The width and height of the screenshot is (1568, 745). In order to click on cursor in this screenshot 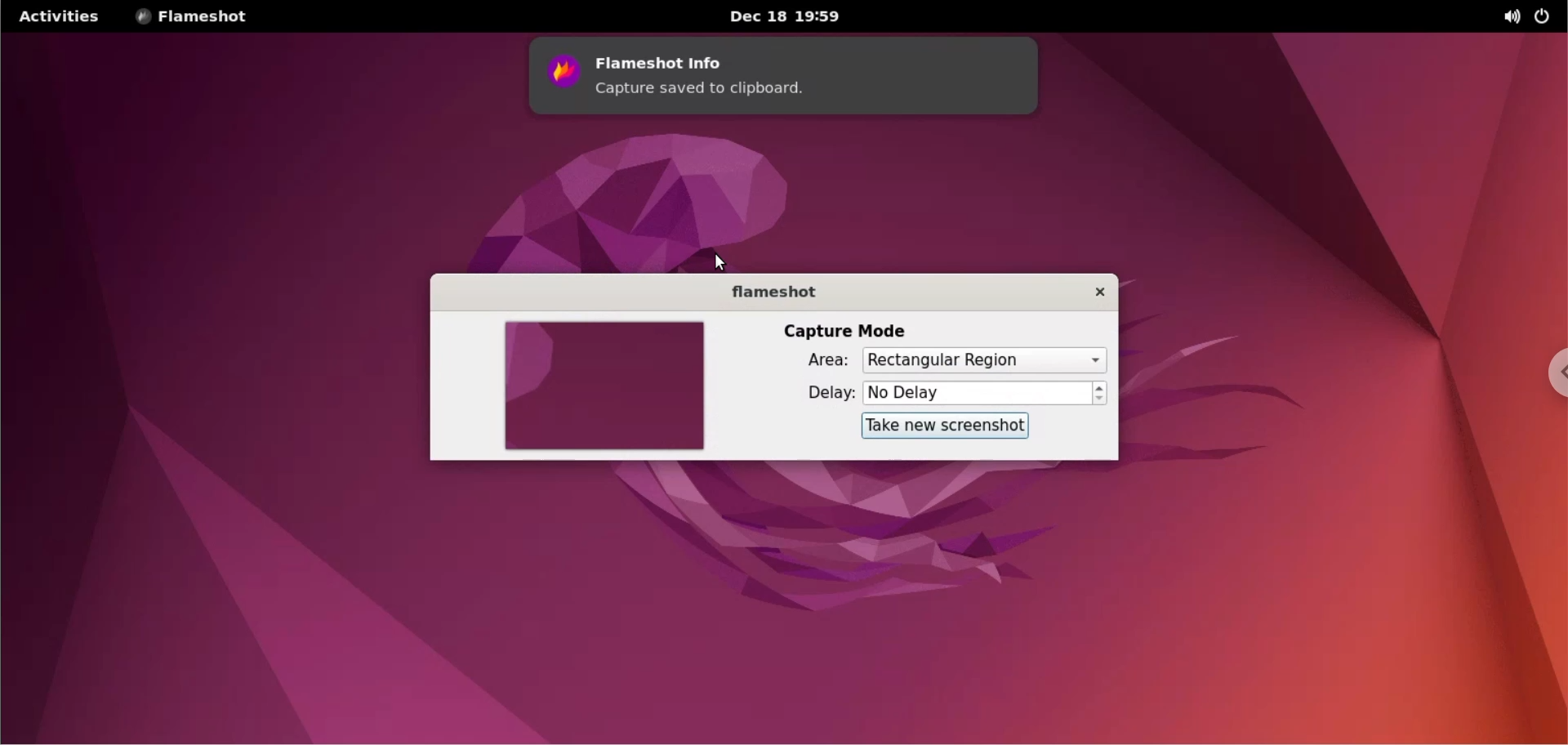, I will do `click(719, 260)`.